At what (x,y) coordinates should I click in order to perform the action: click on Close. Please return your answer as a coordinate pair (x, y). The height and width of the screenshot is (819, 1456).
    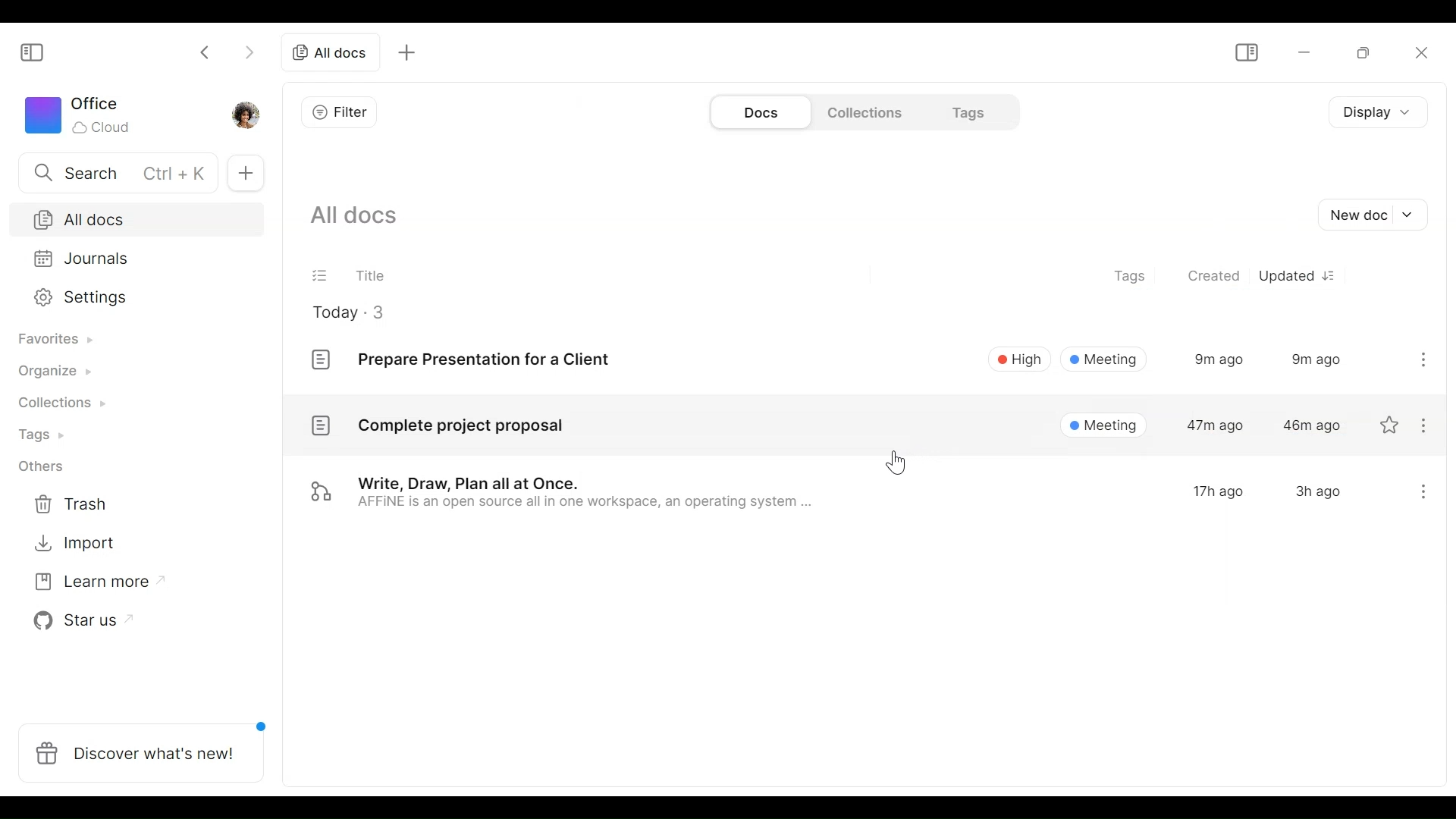
    Looking at the image, I should click on (1418, 52).